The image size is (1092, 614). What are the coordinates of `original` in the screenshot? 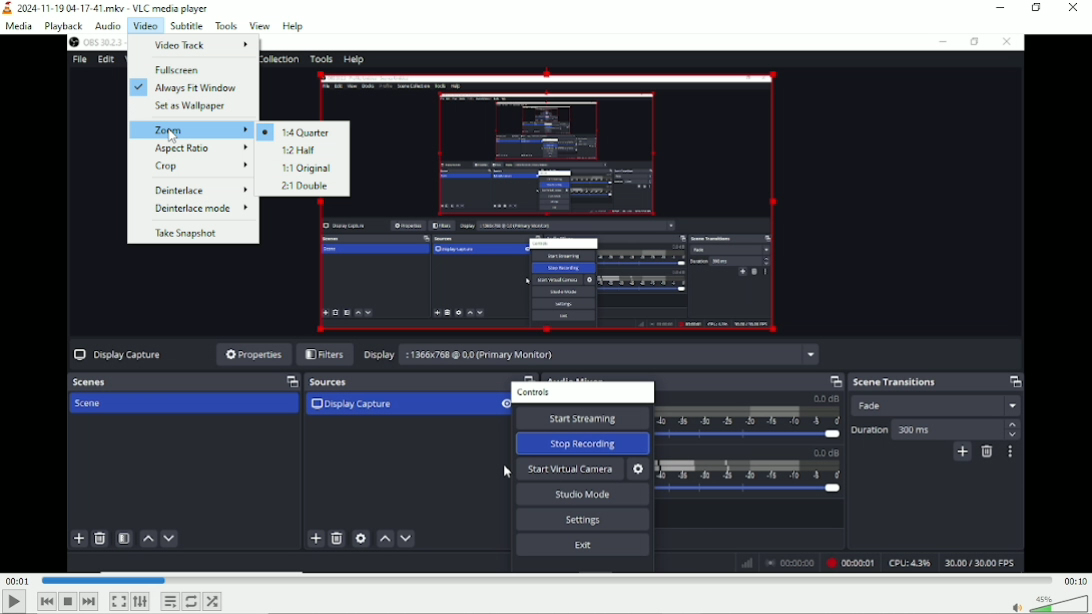 It's located at (303, 168).